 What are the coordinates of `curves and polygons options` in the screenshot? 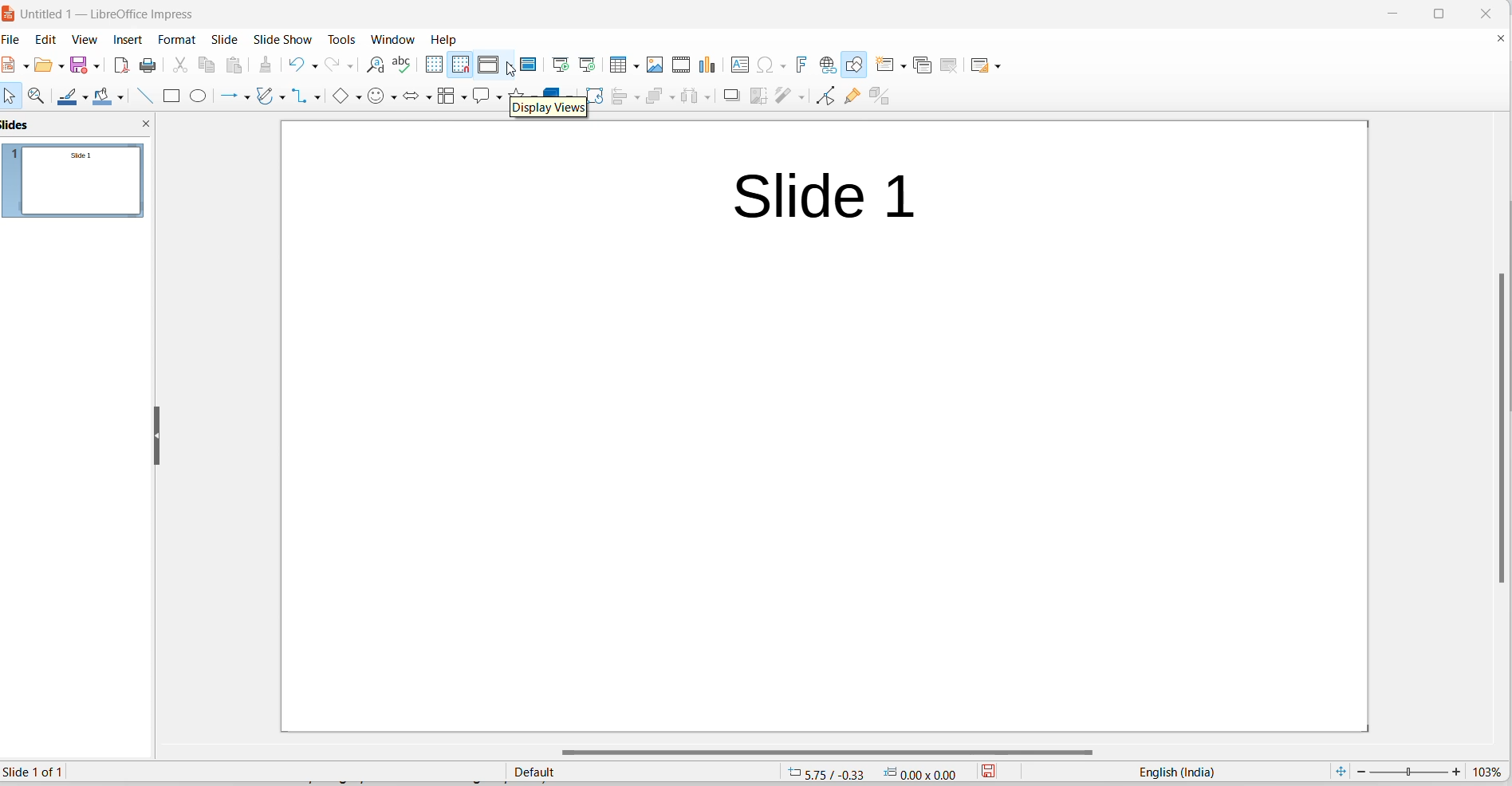 It's located at (286, 96).